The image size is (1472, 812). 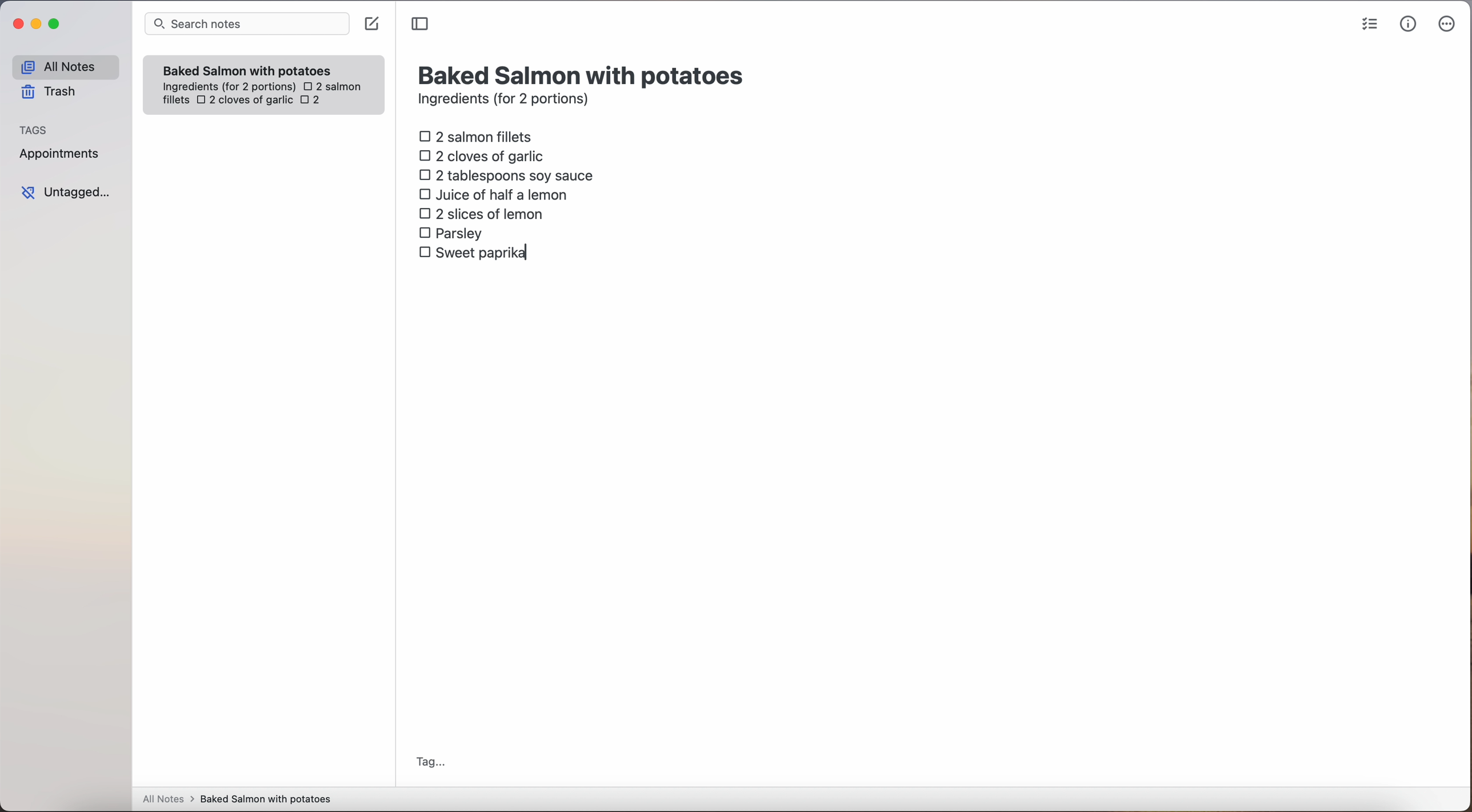 I want to click on 2 tablespoons soy sauce, so click(x=506, y=175).